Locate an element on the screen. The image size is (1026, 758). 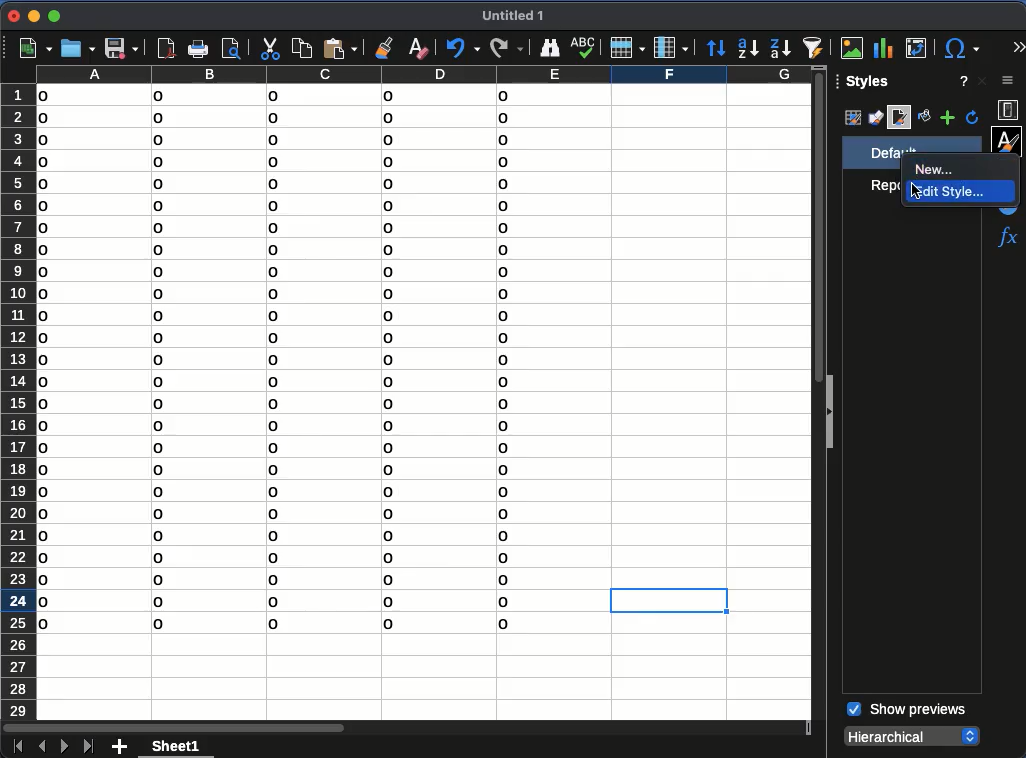
New... is located at coordinates (937, 170).